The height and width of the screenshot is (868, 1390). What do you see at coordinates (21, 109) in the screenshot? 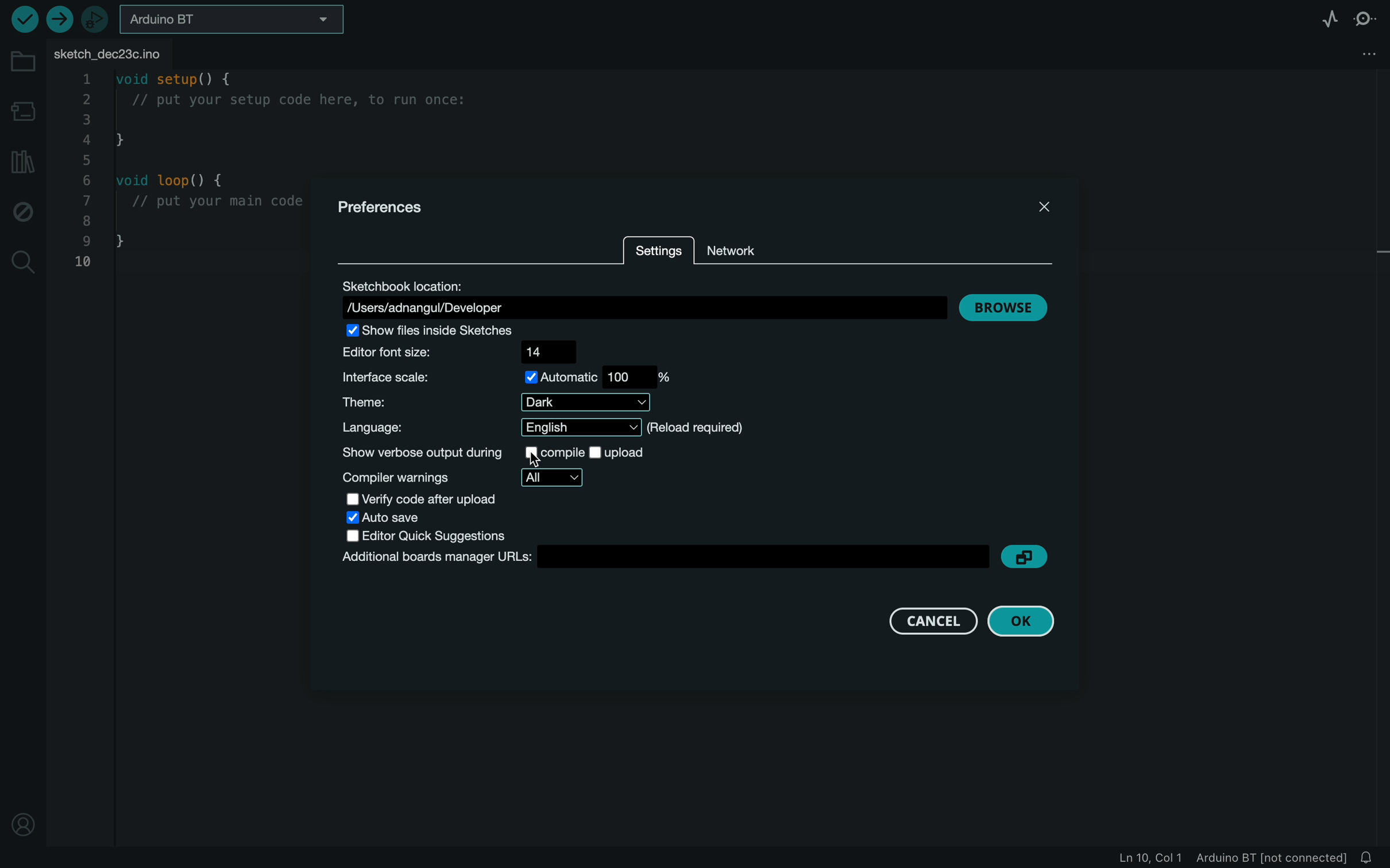
I see `board manager` at bounding box center [21, 109].